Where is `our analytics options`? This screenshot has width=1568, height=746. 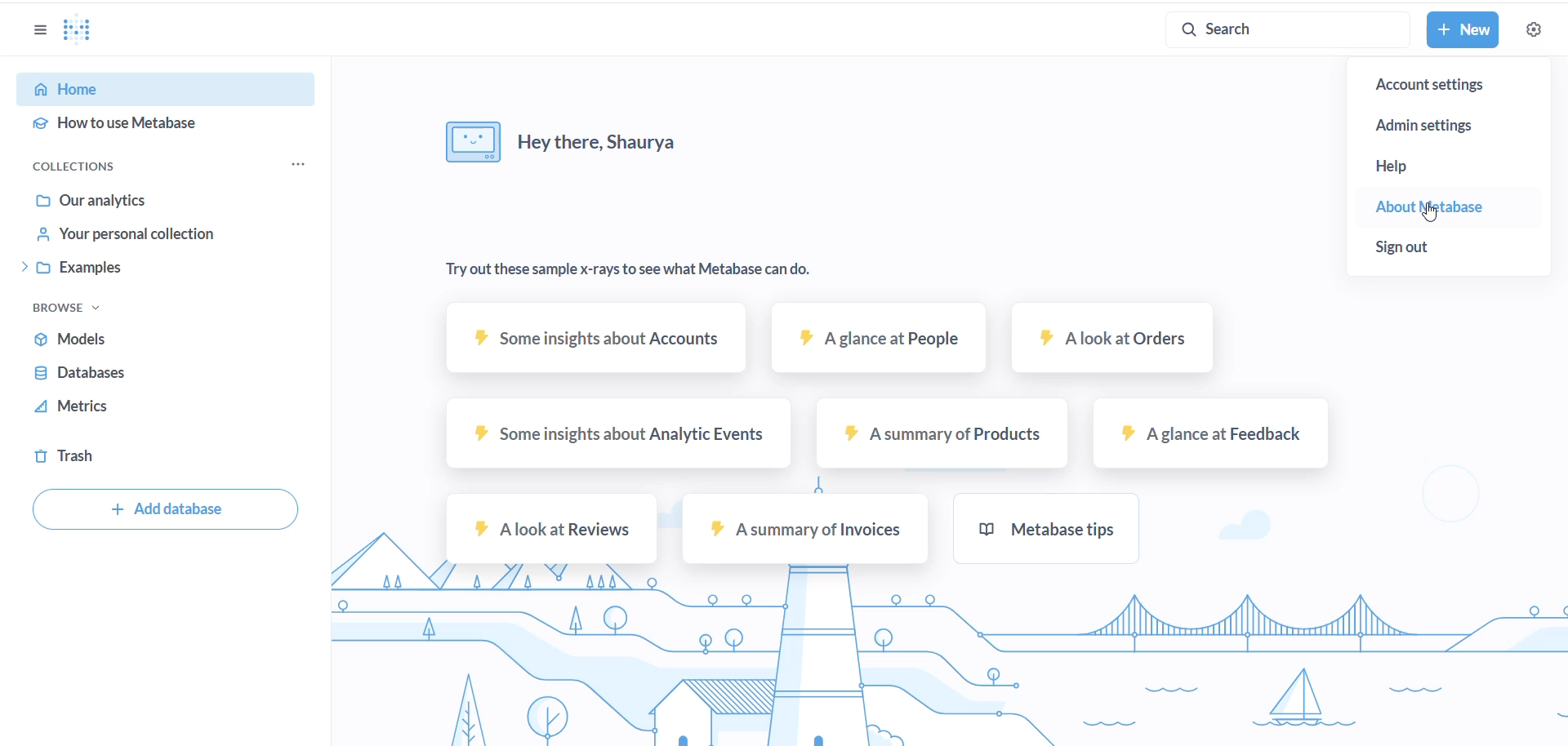
our analytics options is located at coordinates (164, 202).